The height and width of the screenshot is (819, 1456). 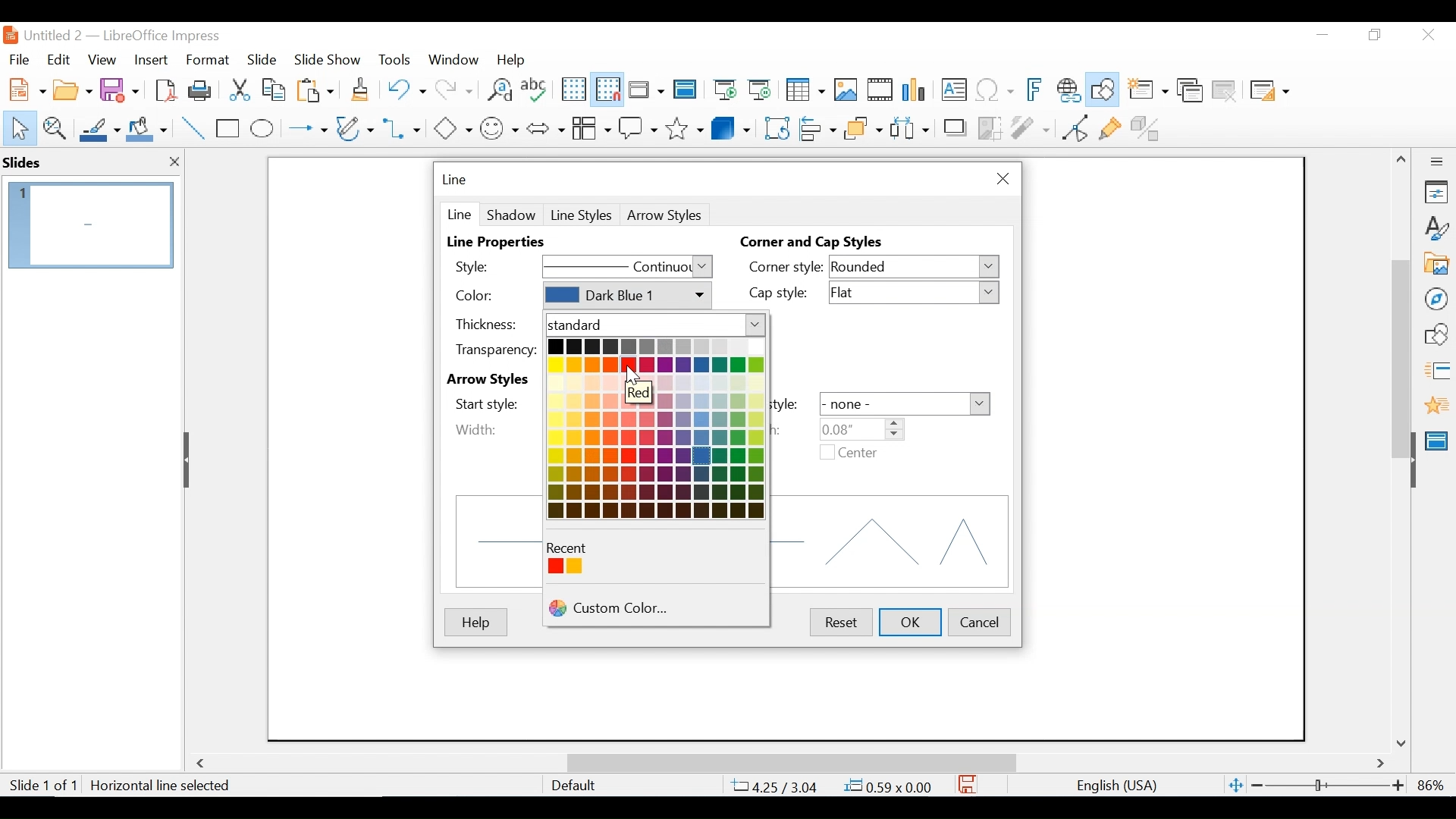 What do you see at coordinates (968, 784) in the screenshot?
I see `Save` at bounding box center [968, 784].